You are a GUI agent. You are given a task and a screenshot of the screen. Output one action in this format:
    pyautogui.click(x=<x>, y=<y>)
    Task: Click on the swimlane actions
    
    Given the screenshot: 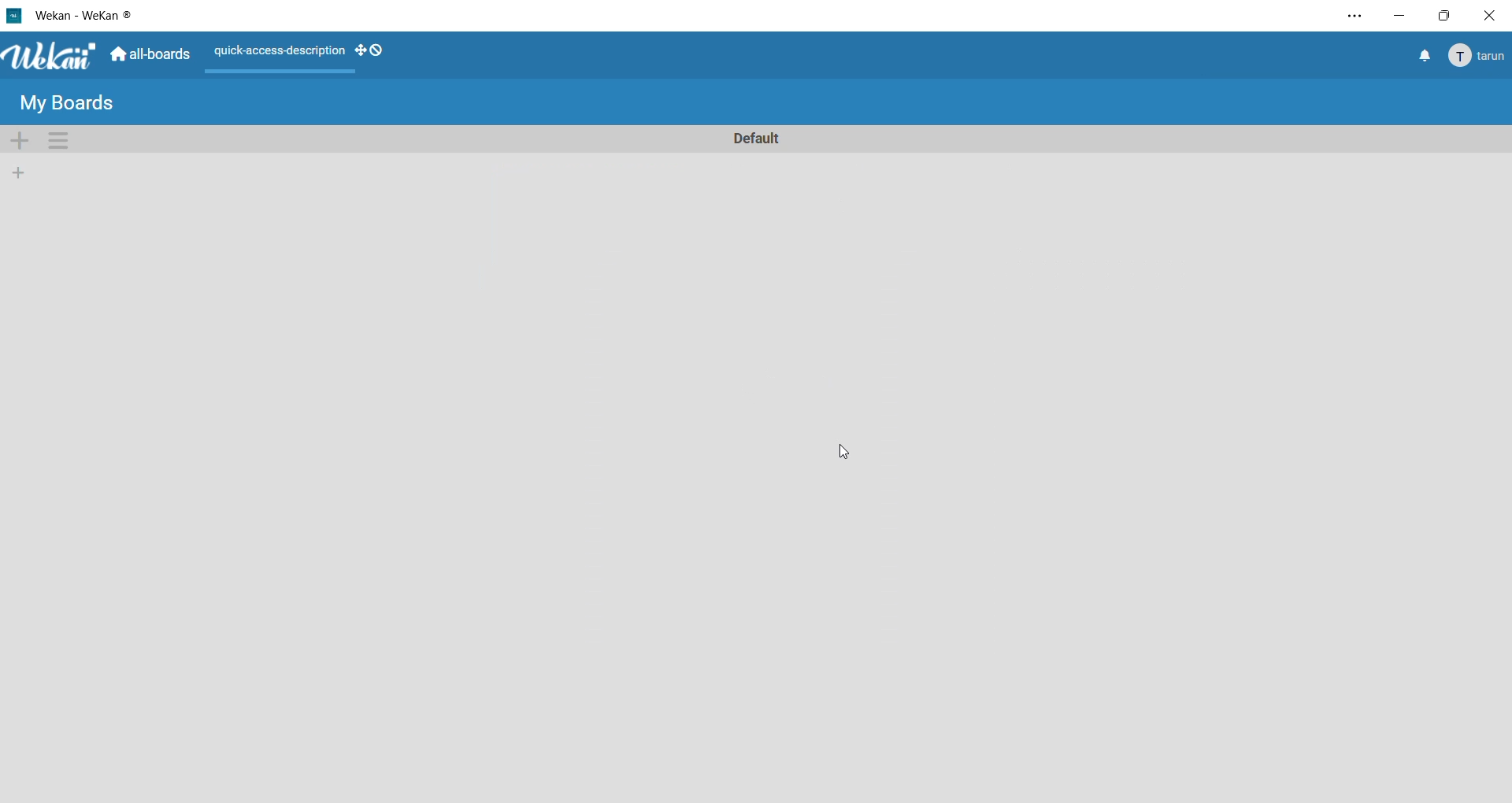 What is the action you would take?
    pyautogui.click(x=62, y=141)
    